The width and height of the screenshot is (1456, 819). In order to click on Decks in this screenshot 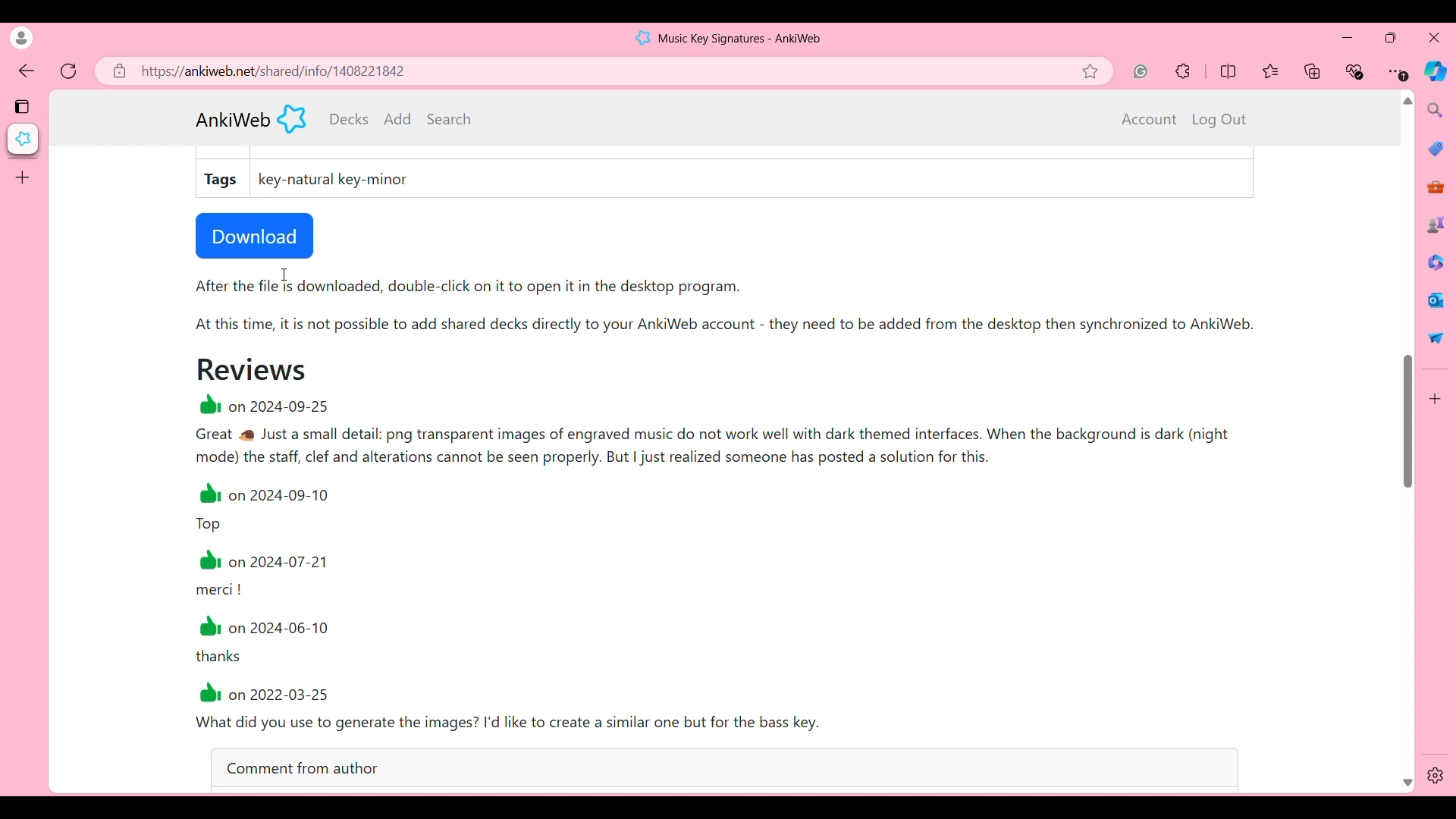, I will do `click(350, 119)`.